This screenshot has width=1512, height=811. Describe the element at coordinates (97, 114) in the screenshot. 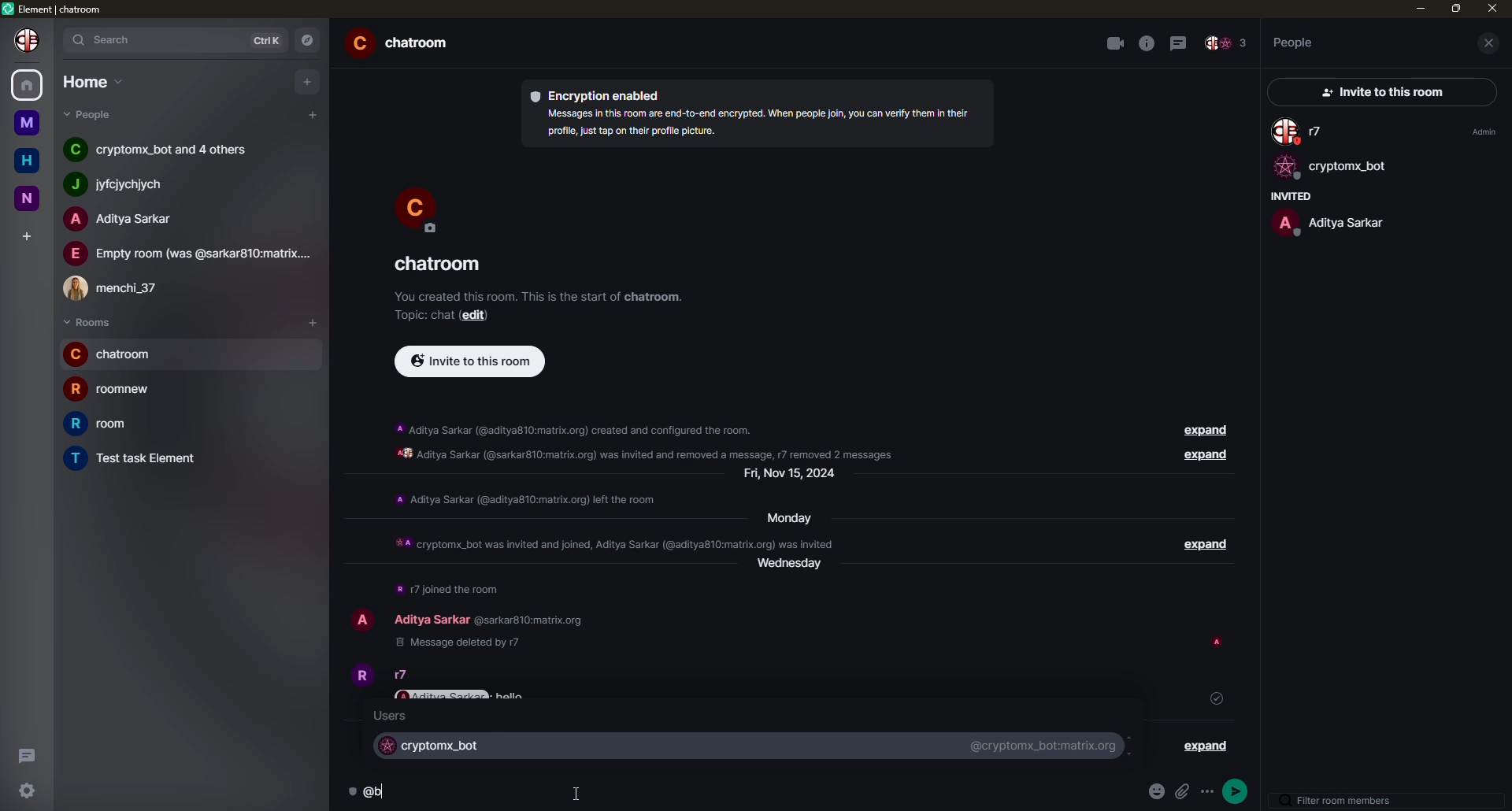

I see `people` at that location.